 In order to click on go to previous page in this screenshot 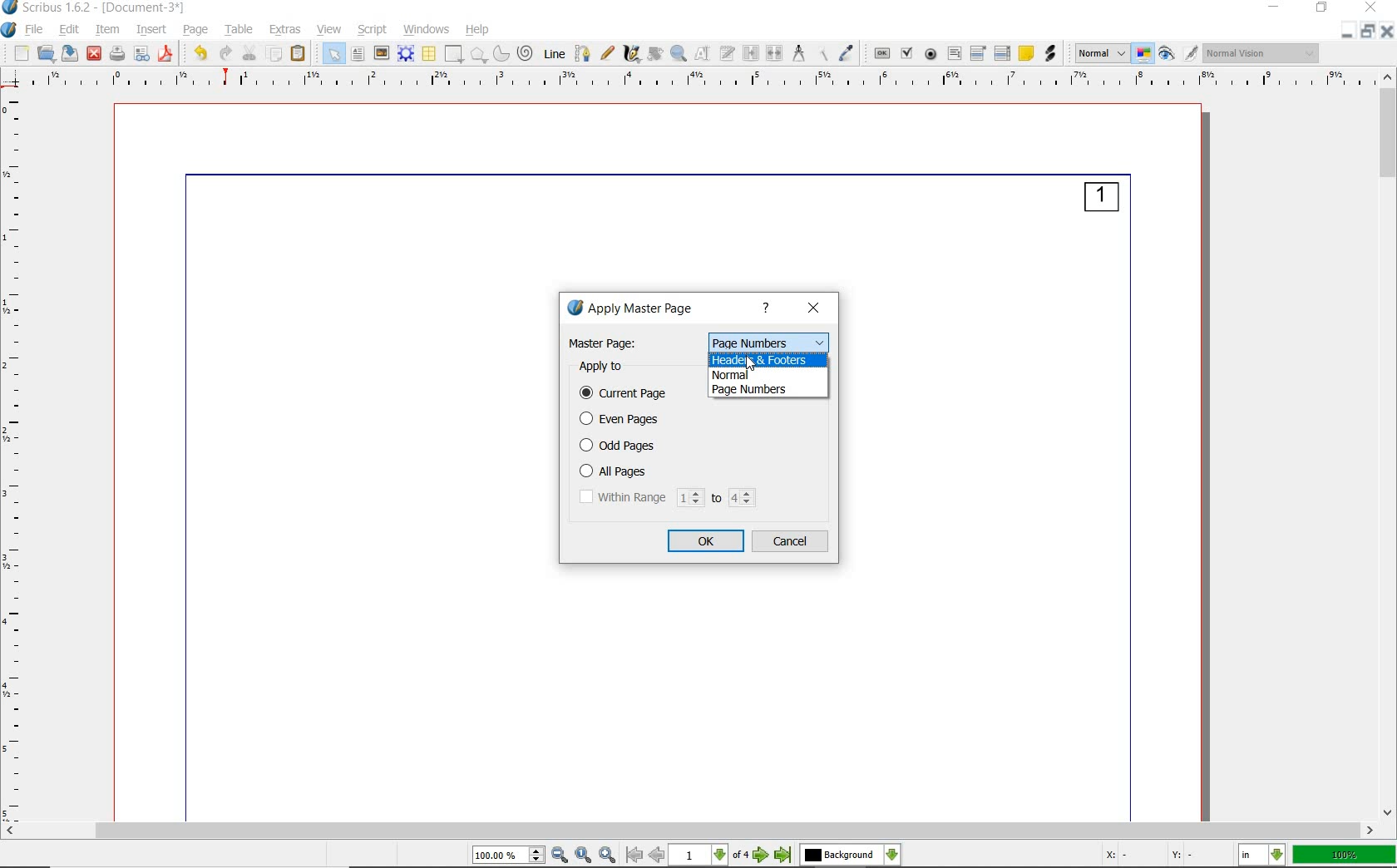, I will do `click(658, 856)`.